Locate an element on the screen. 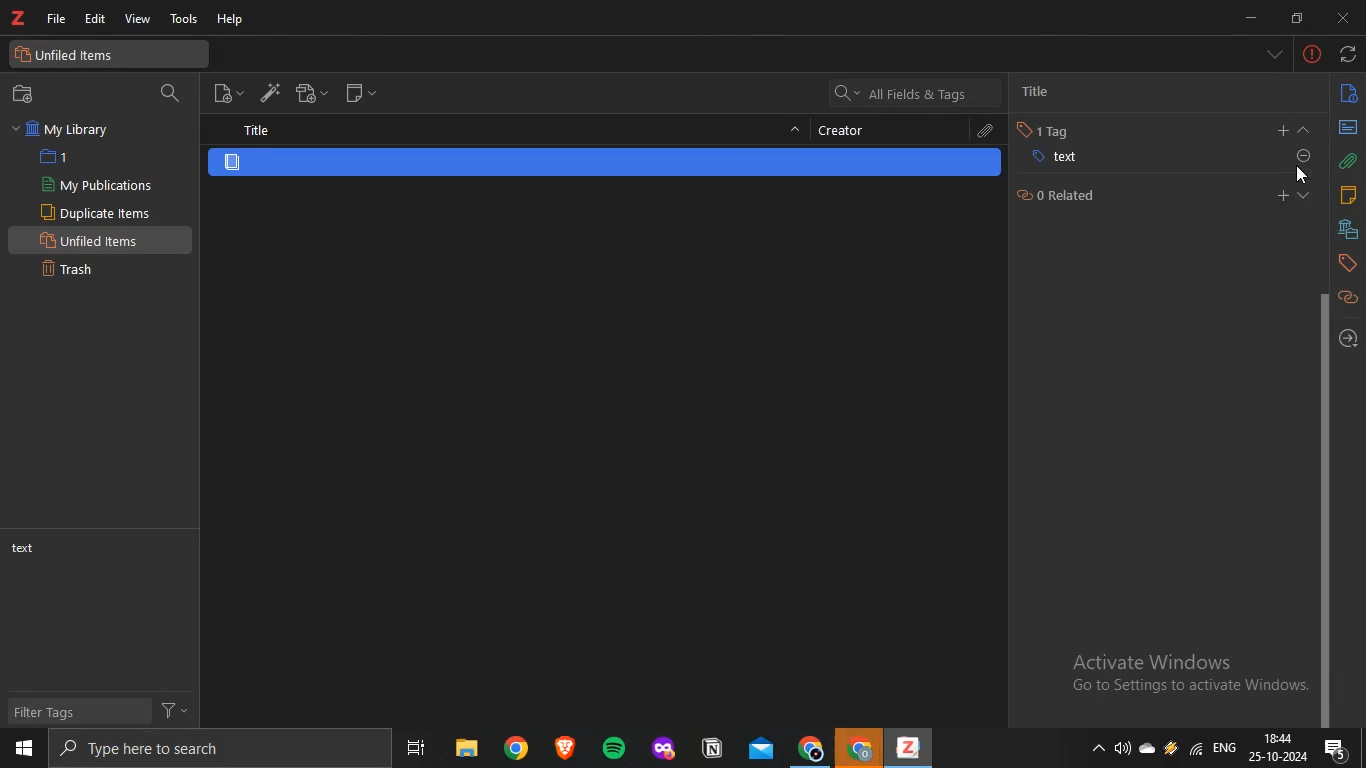  show hidden icons is located at coordinates (1093, 748).